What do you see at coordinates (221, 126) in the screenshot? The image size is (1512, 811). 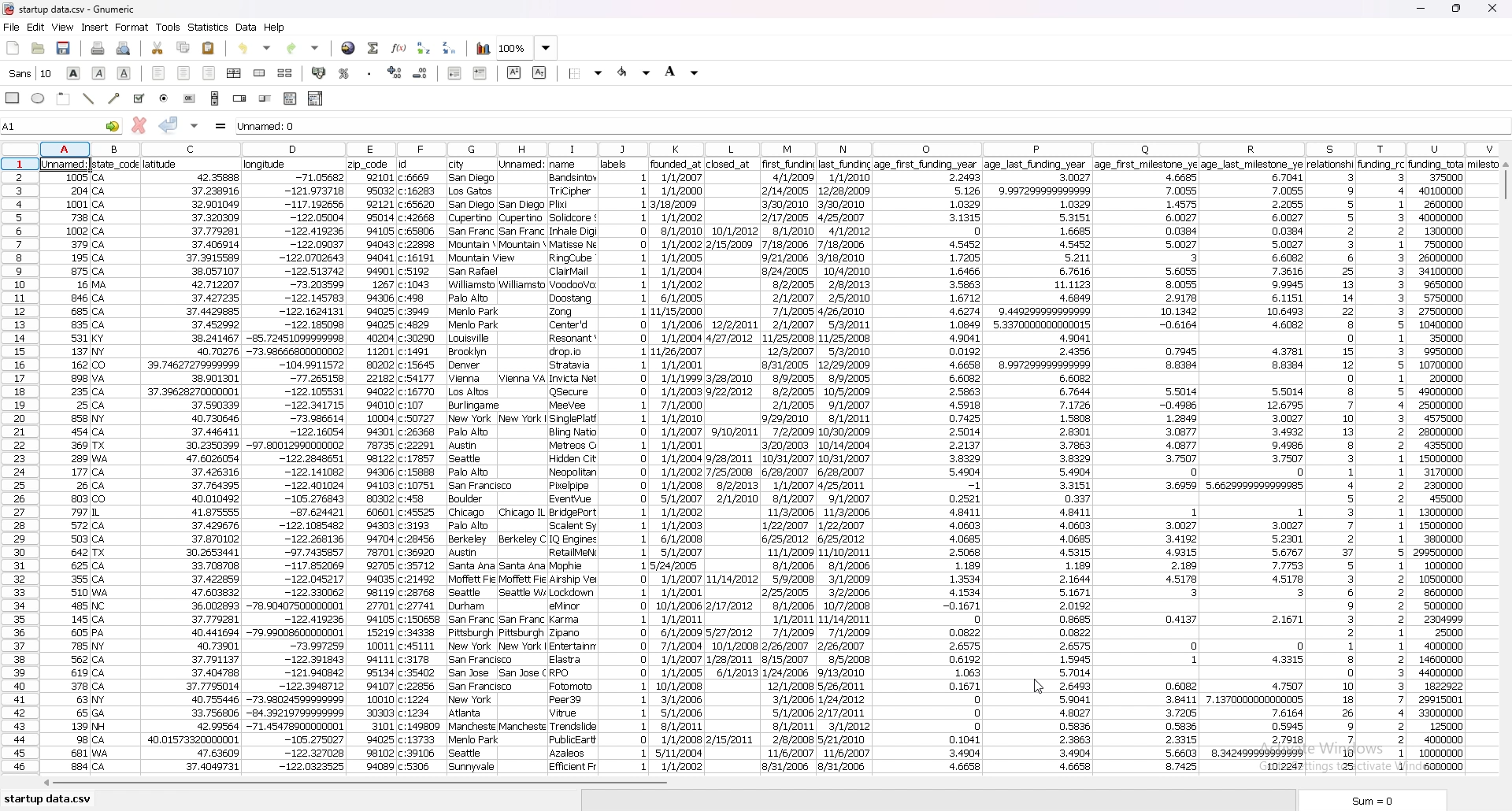 I see `formula` at bounding box center [221, 126].